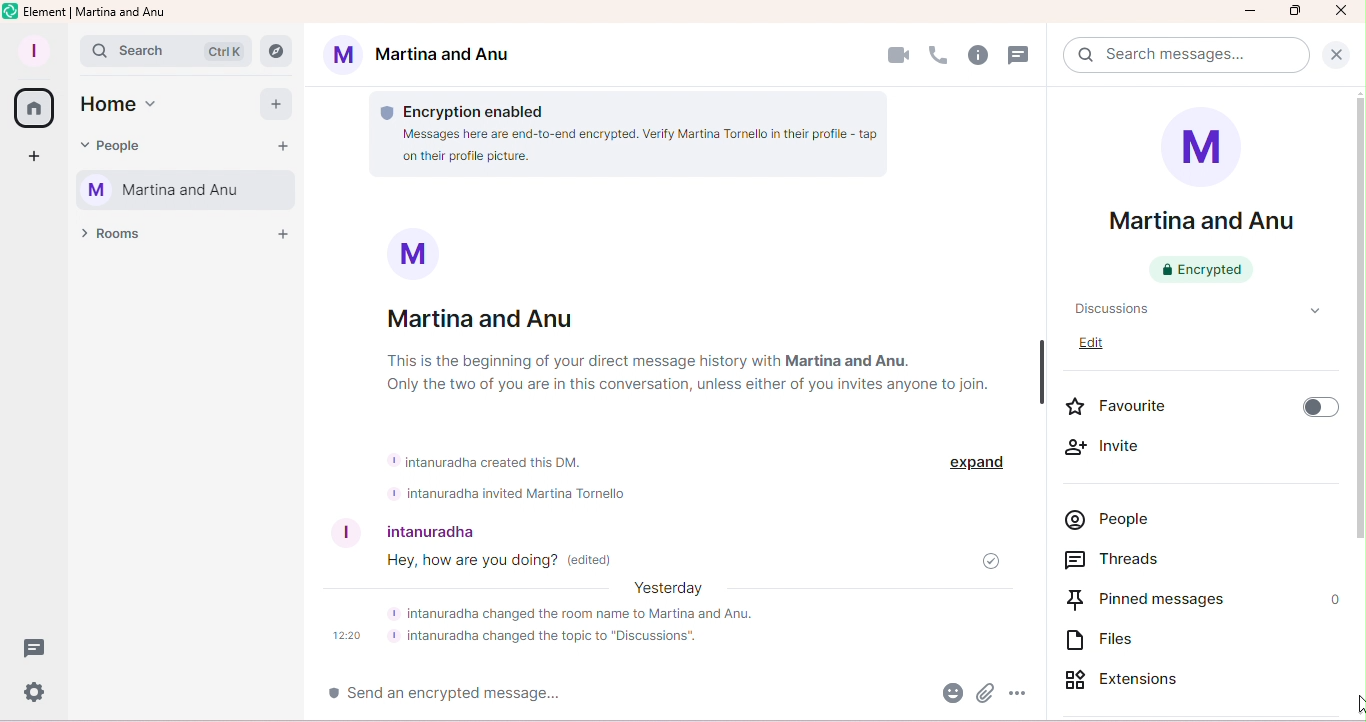 The height and width of the screenshot is (722, 1366). Describe the element at coordinates (978, 56) in the screenshot. I see `Info` at that location.